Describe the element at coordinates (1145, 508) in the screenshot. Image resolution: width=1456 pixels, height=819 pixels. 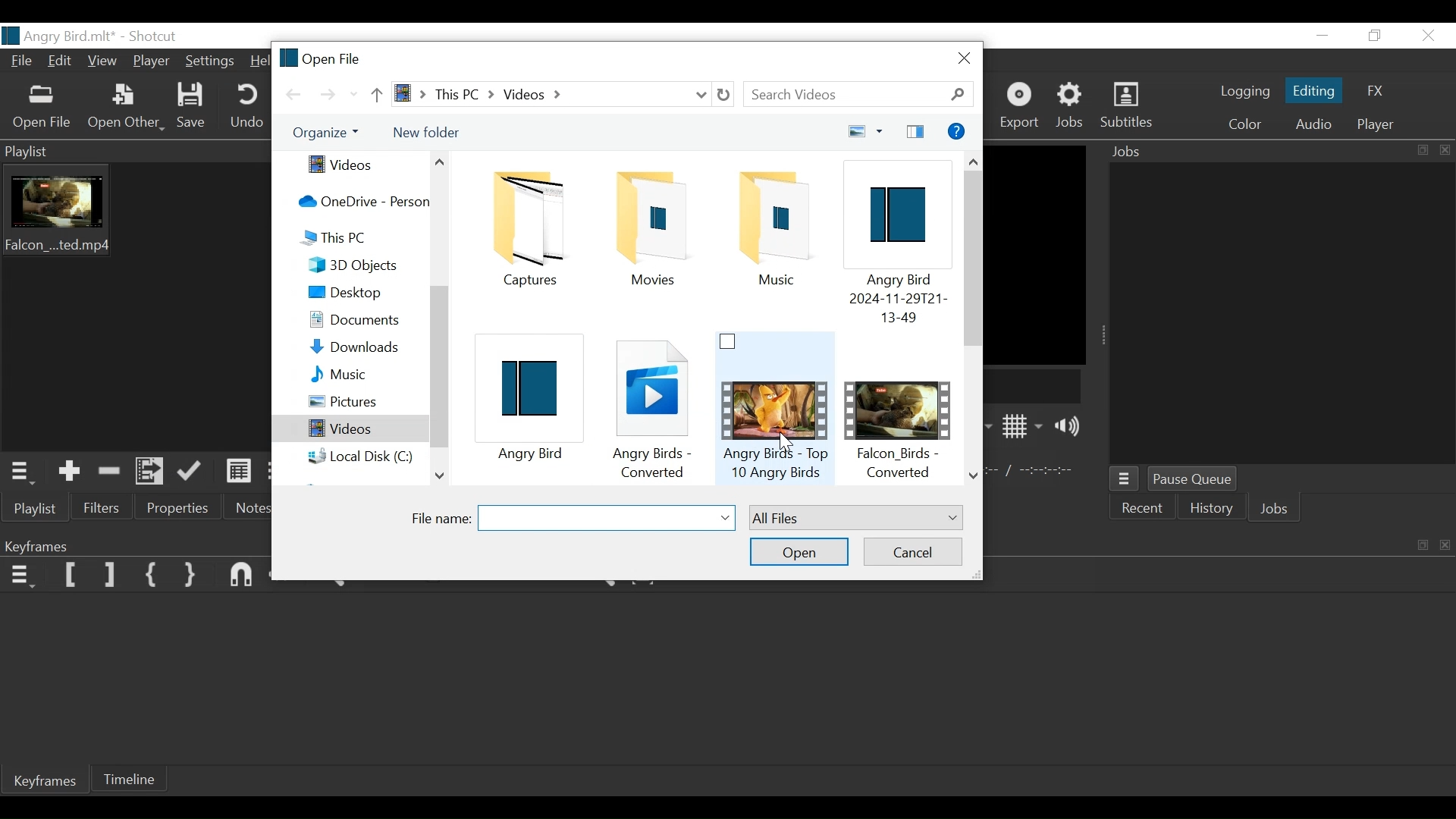
I see `Recent` at that location.